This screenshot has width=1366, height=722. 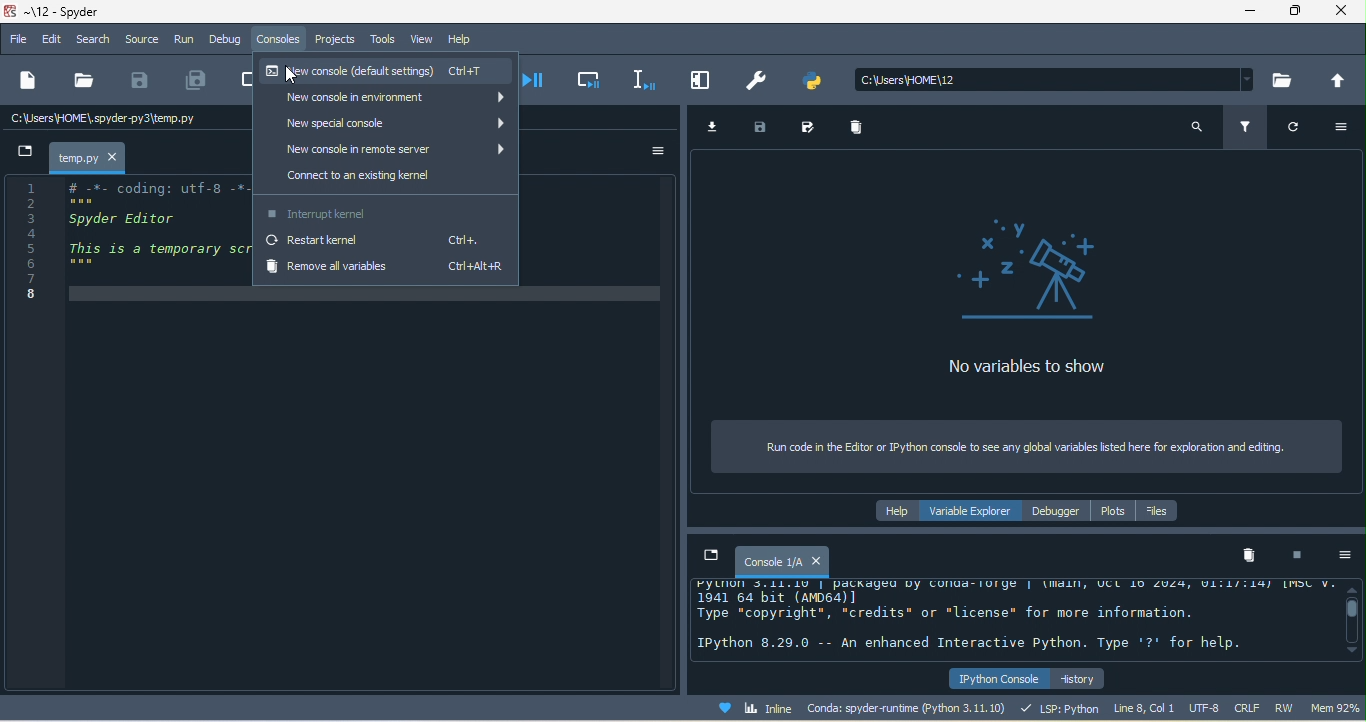 What do you see at coordinates (51, 39) in the screenshot?
I see `edit` at bounding box center [51, 39].